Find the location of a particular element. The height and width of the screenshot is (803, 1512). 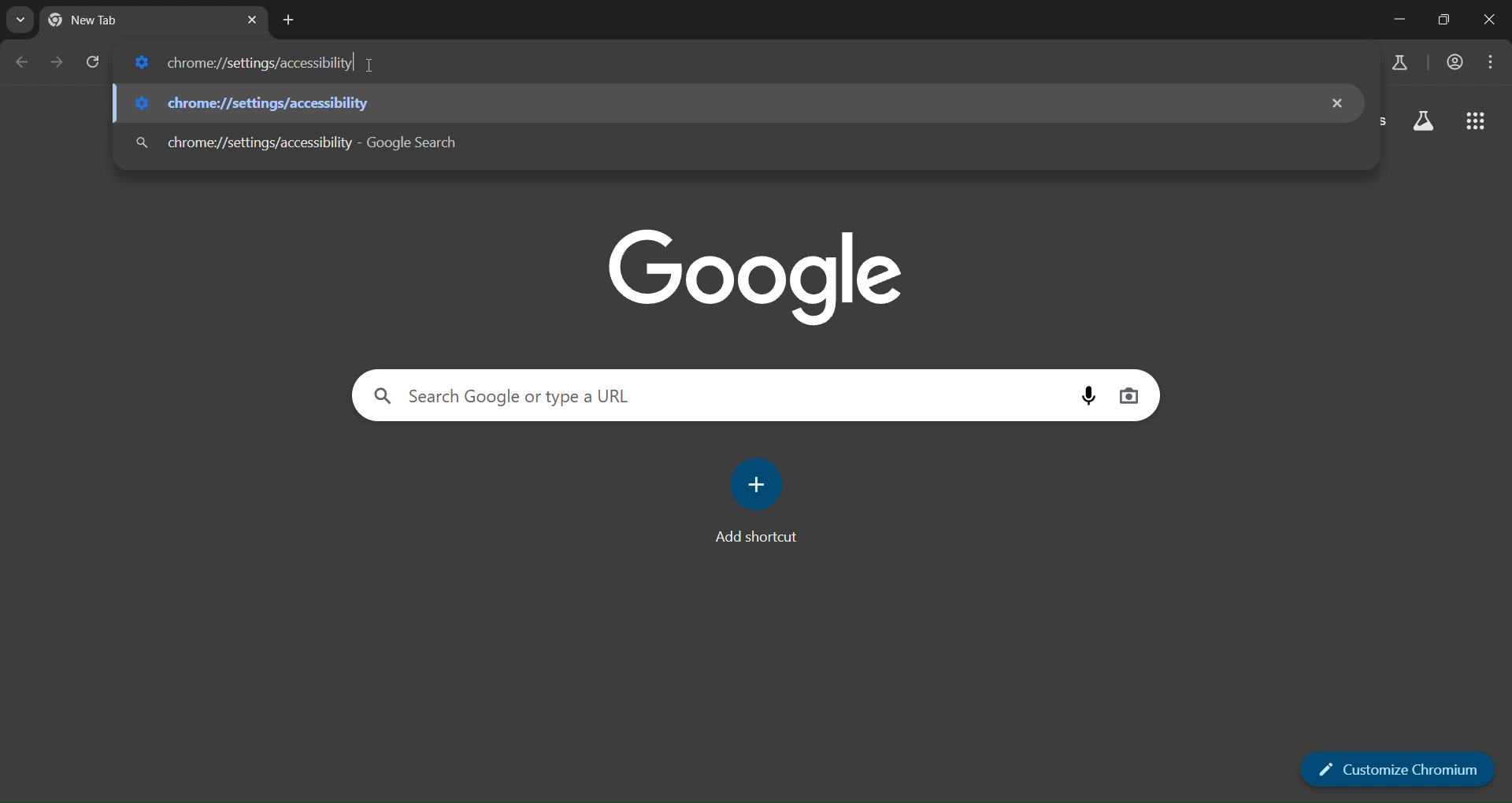

image search is located at coordinates (1132, 394).